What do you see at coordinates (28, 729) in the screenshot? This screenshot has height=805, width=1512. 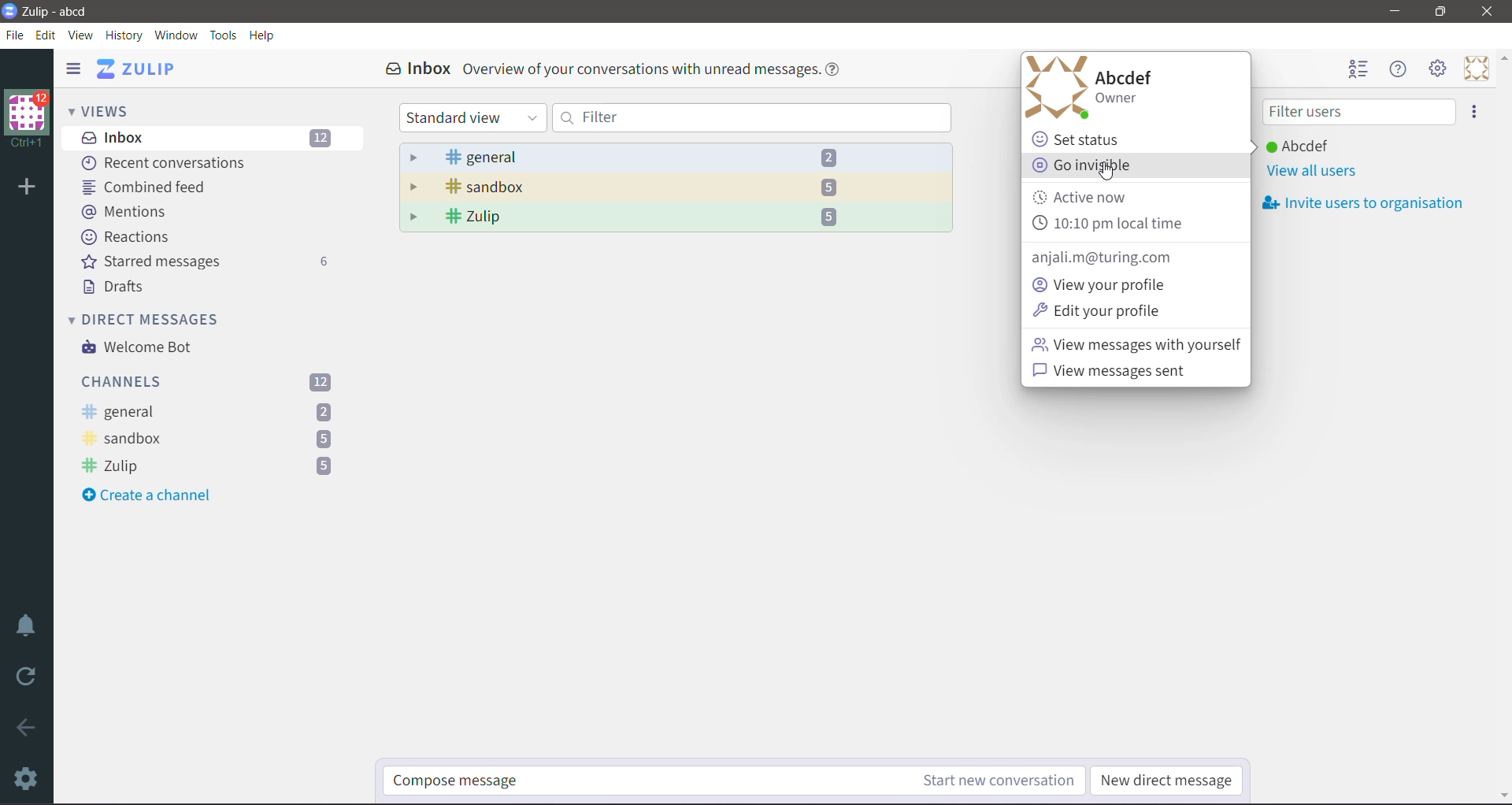 I see `Go back` at bounding box center [28, 729].